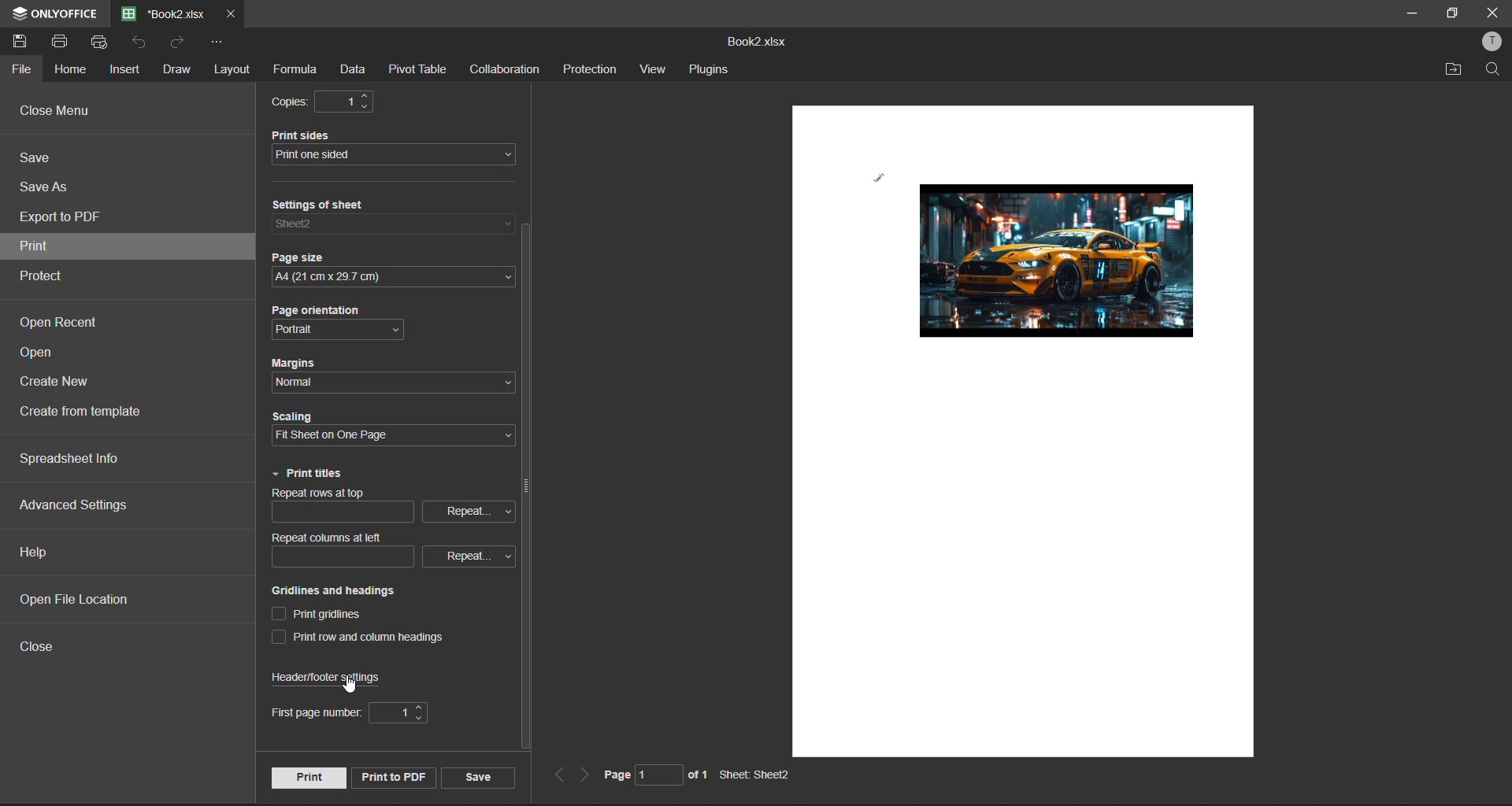  What do you see at coordinates (708, 72) in the screenshot?
I see `plugins` at bounding box center [708, 72].